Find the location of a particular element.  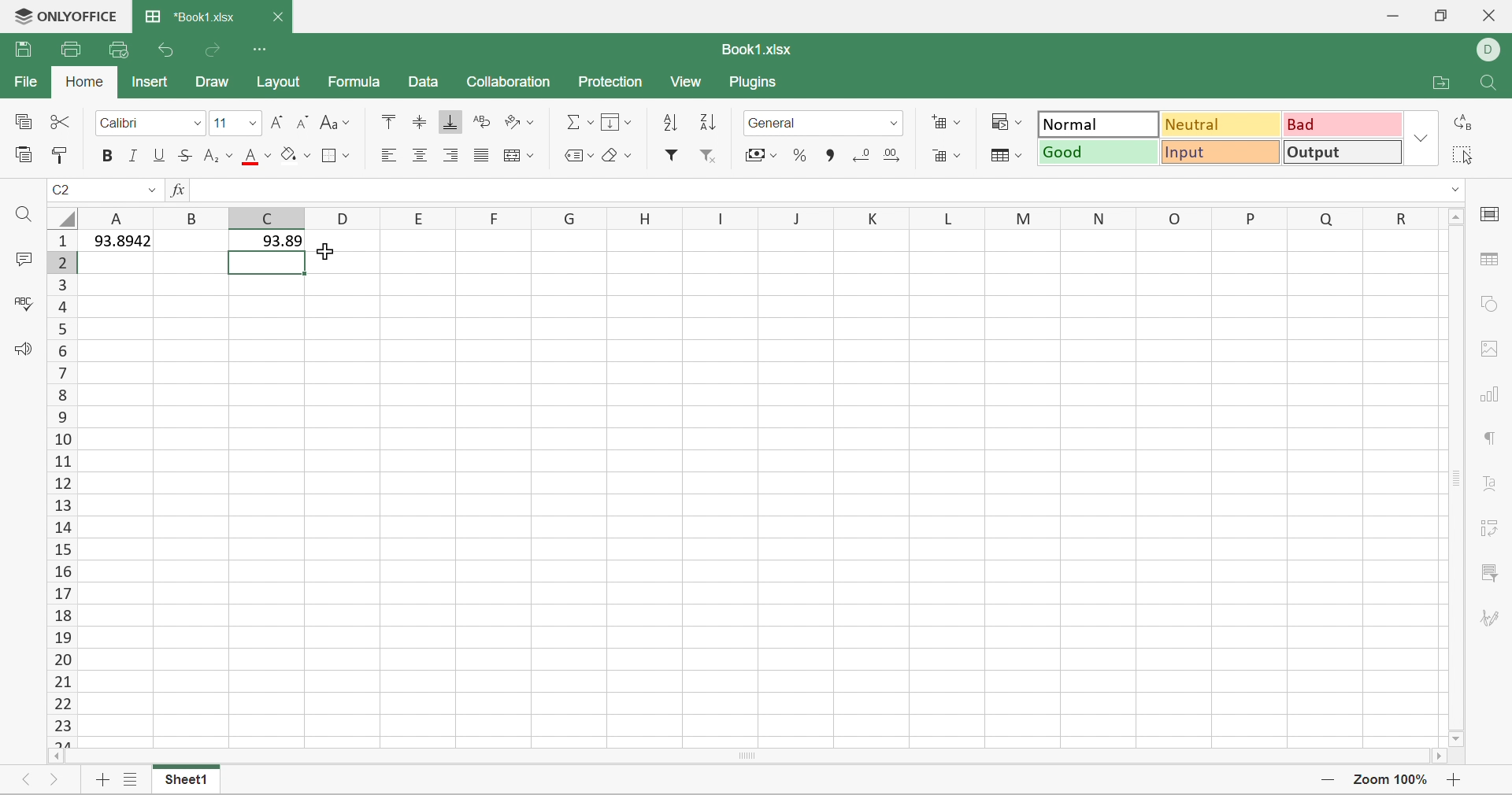

Minimize is located at coordinates (1390, 16).